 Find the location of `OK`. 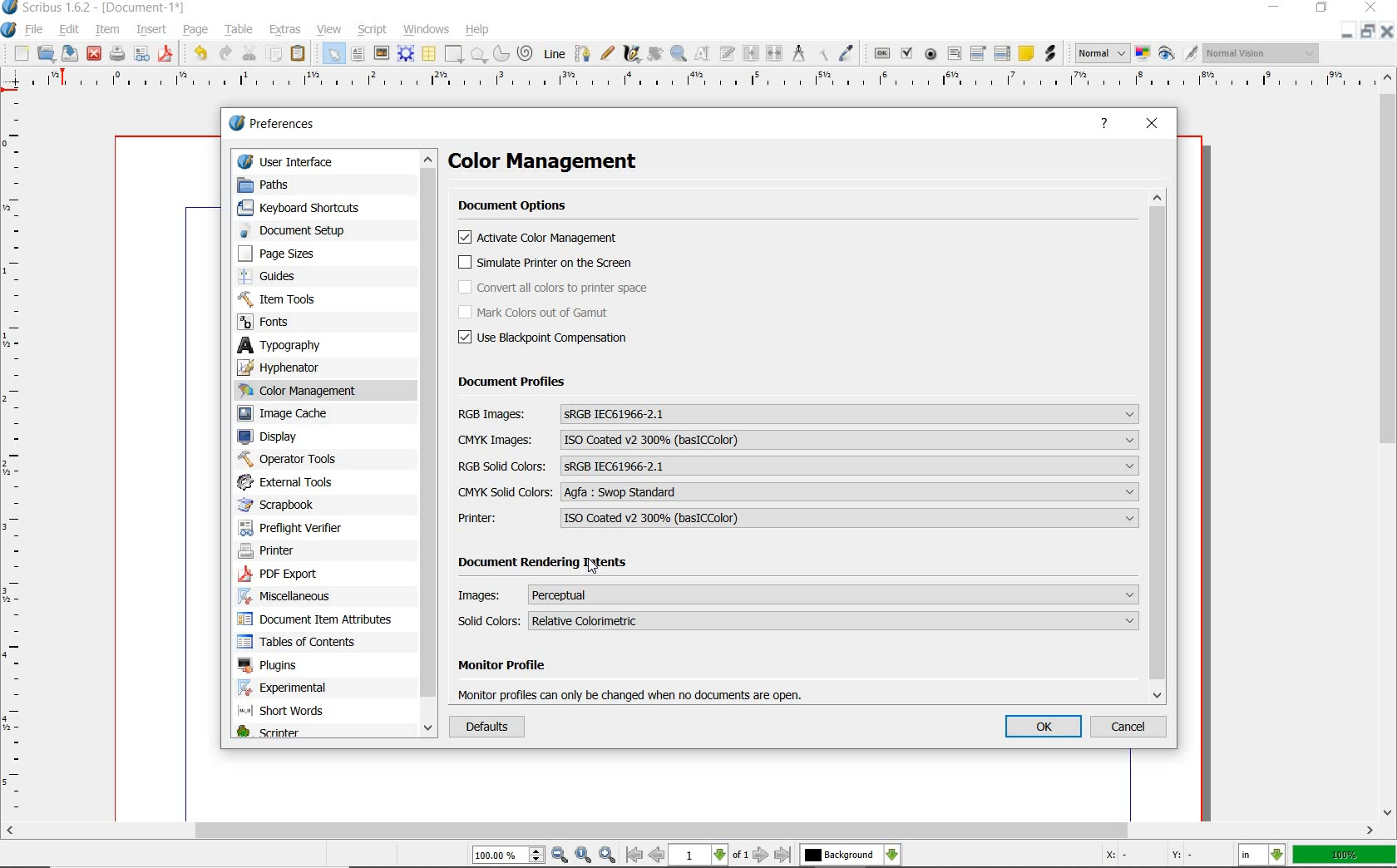

OK is located at coordinates (1044, 727).